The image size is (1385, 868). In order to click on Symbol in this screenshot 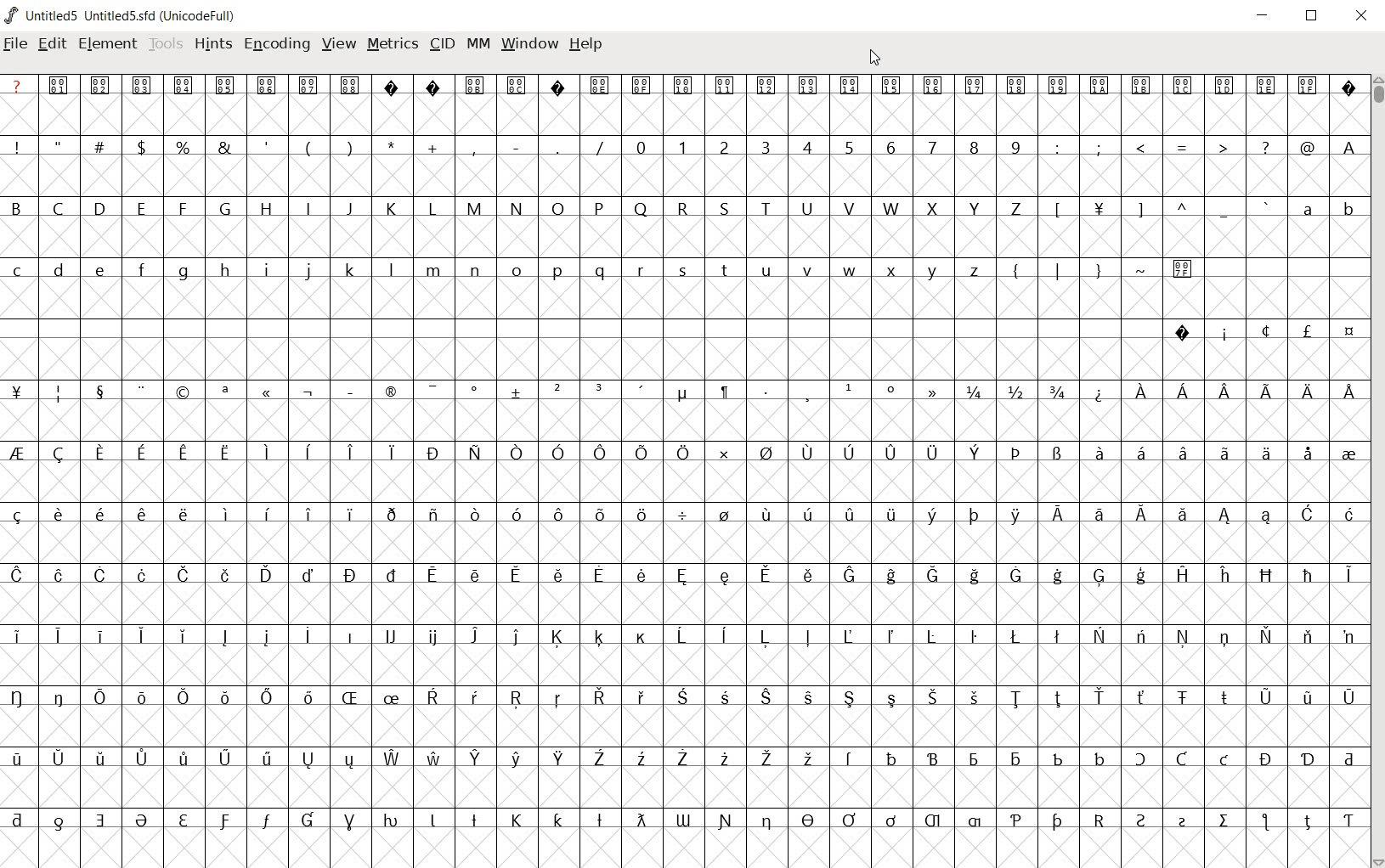, I will do `click(349, 822)`.